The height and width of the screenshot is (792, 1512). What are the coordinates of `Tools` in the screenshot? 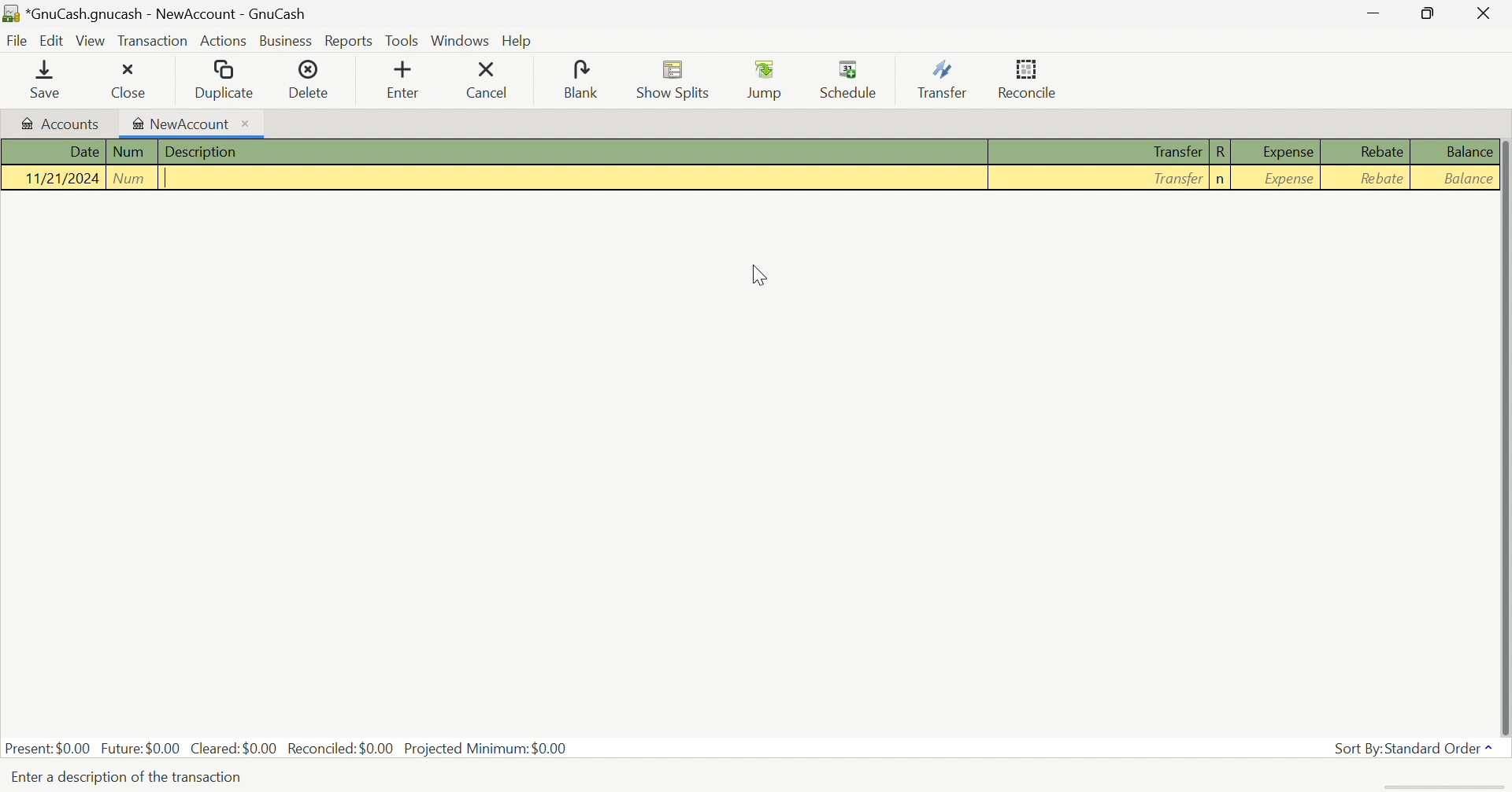 It's located at (403, 39).